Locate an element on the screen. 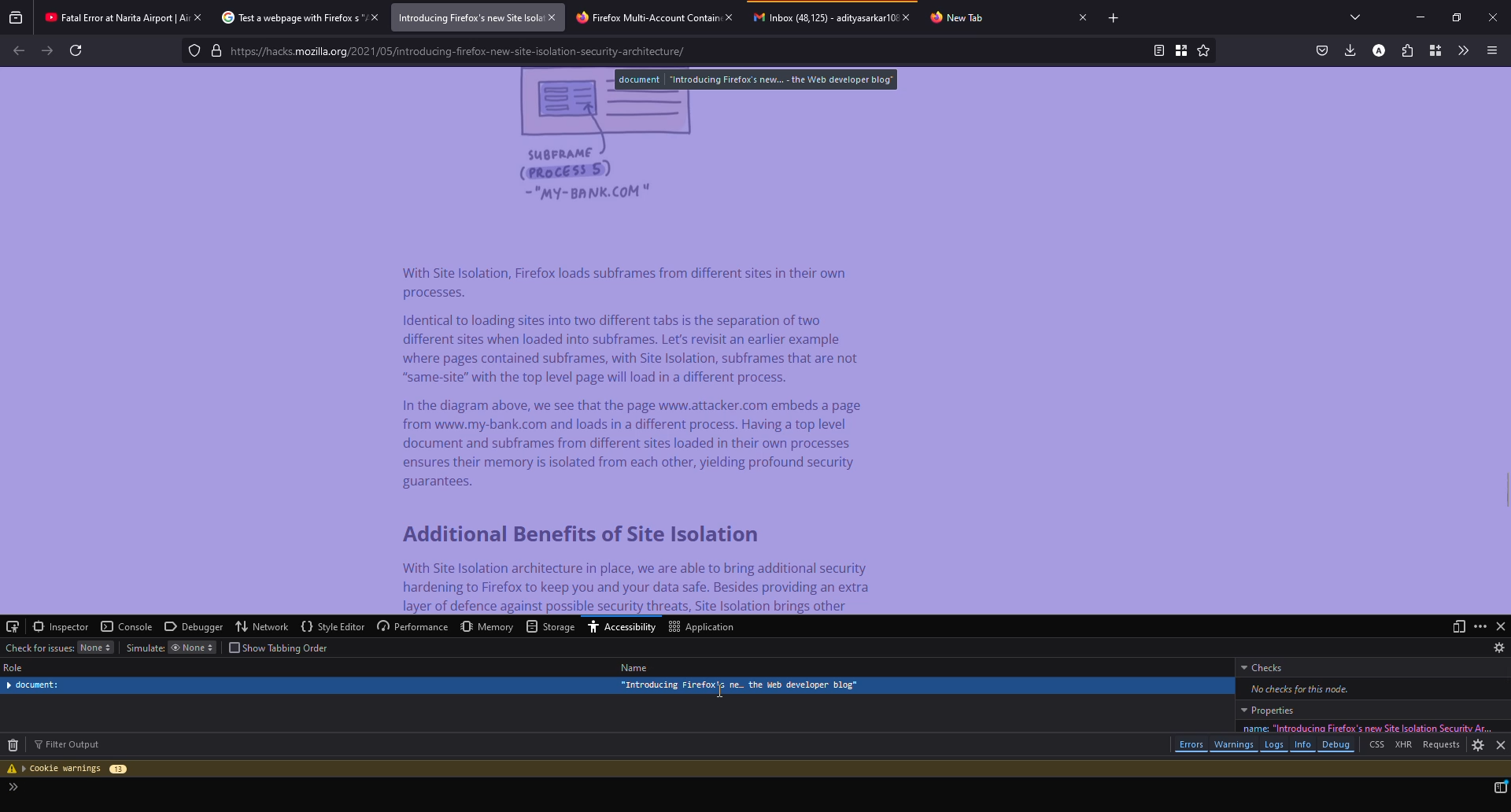  downloads is located at coordinates (1349, 49).